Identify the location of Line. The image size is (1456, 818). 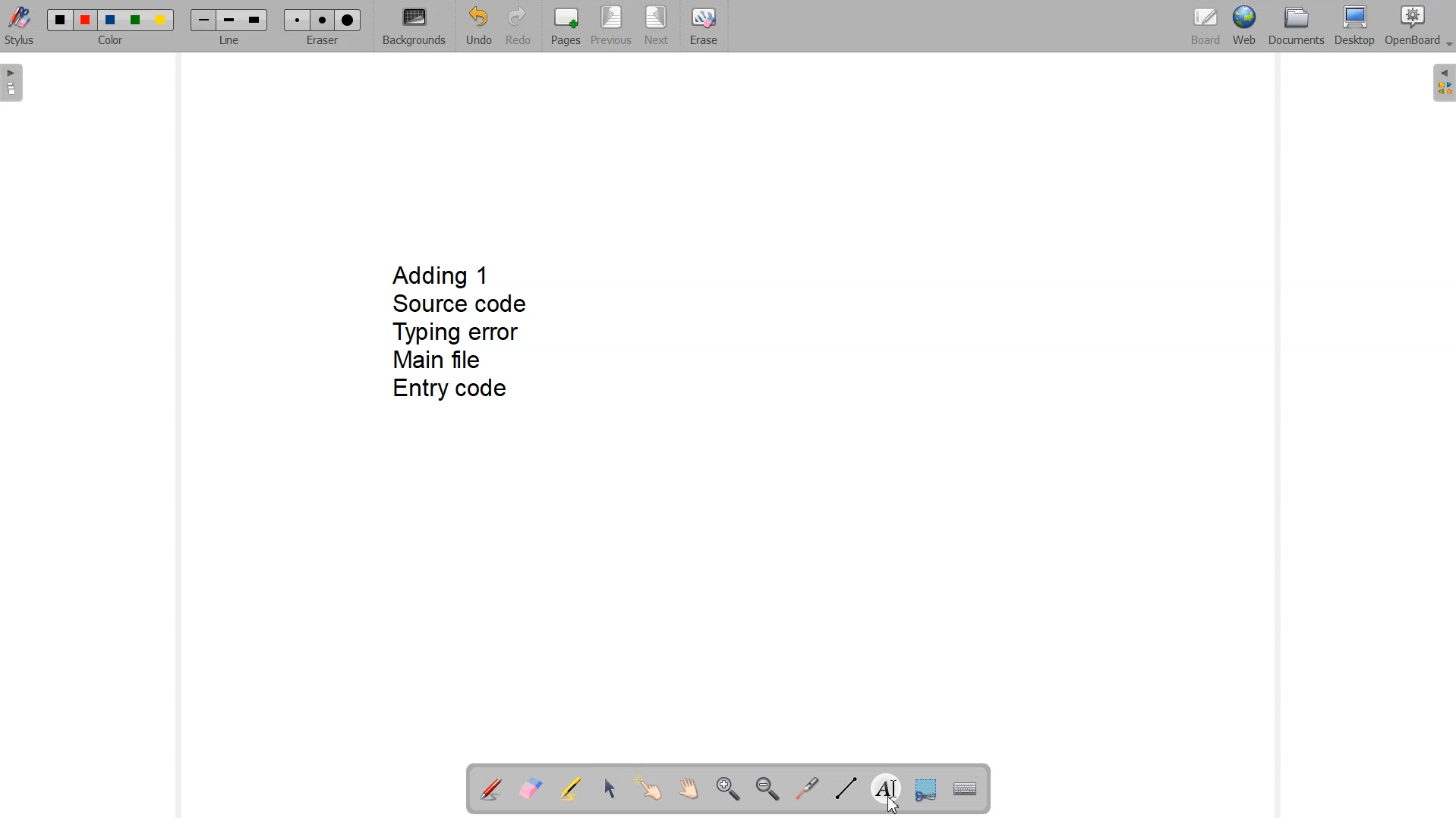
(230, 41).